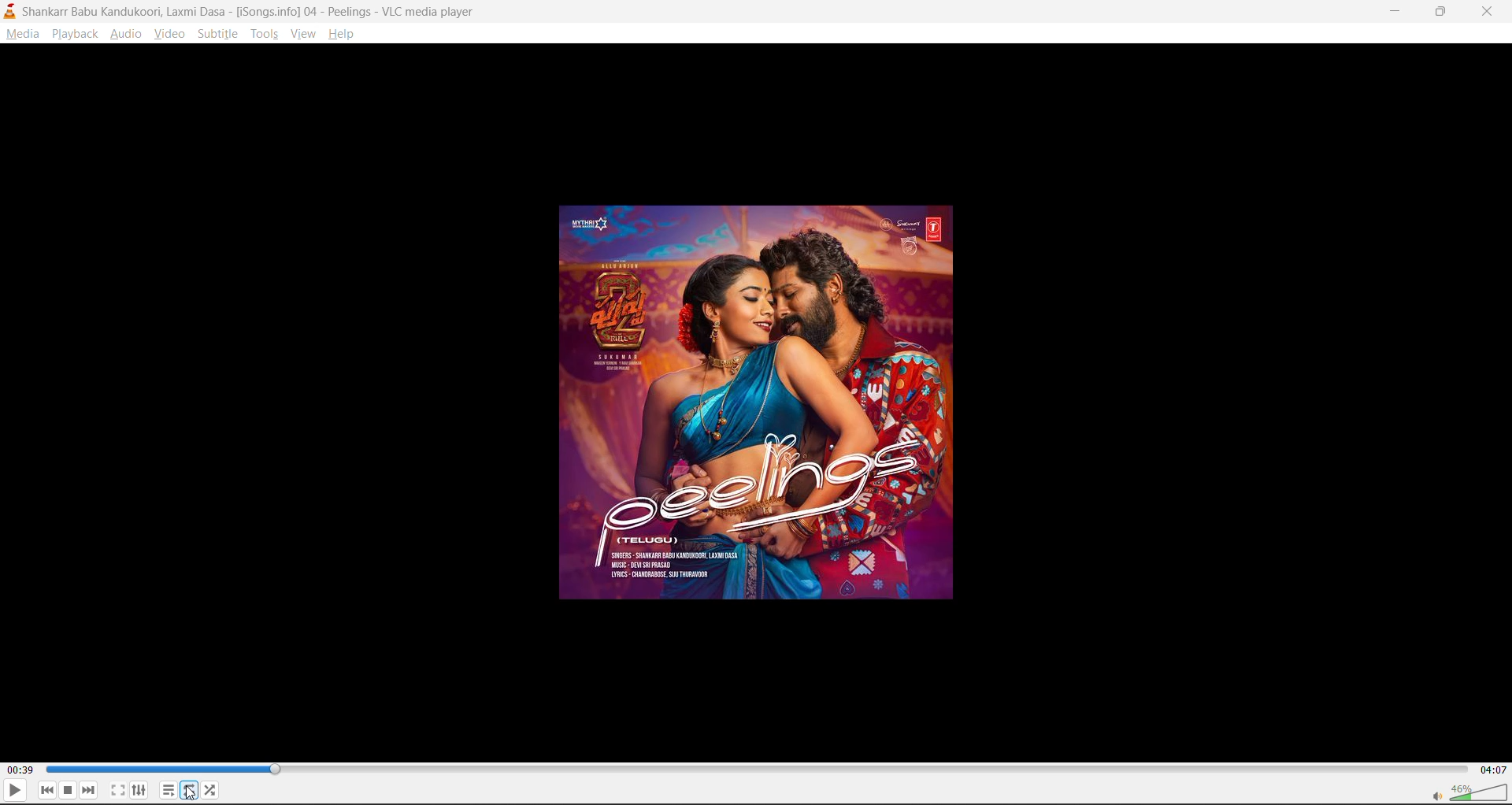 This screenshot has width=1512, height=805. I want to click on help, so click(345, 36).